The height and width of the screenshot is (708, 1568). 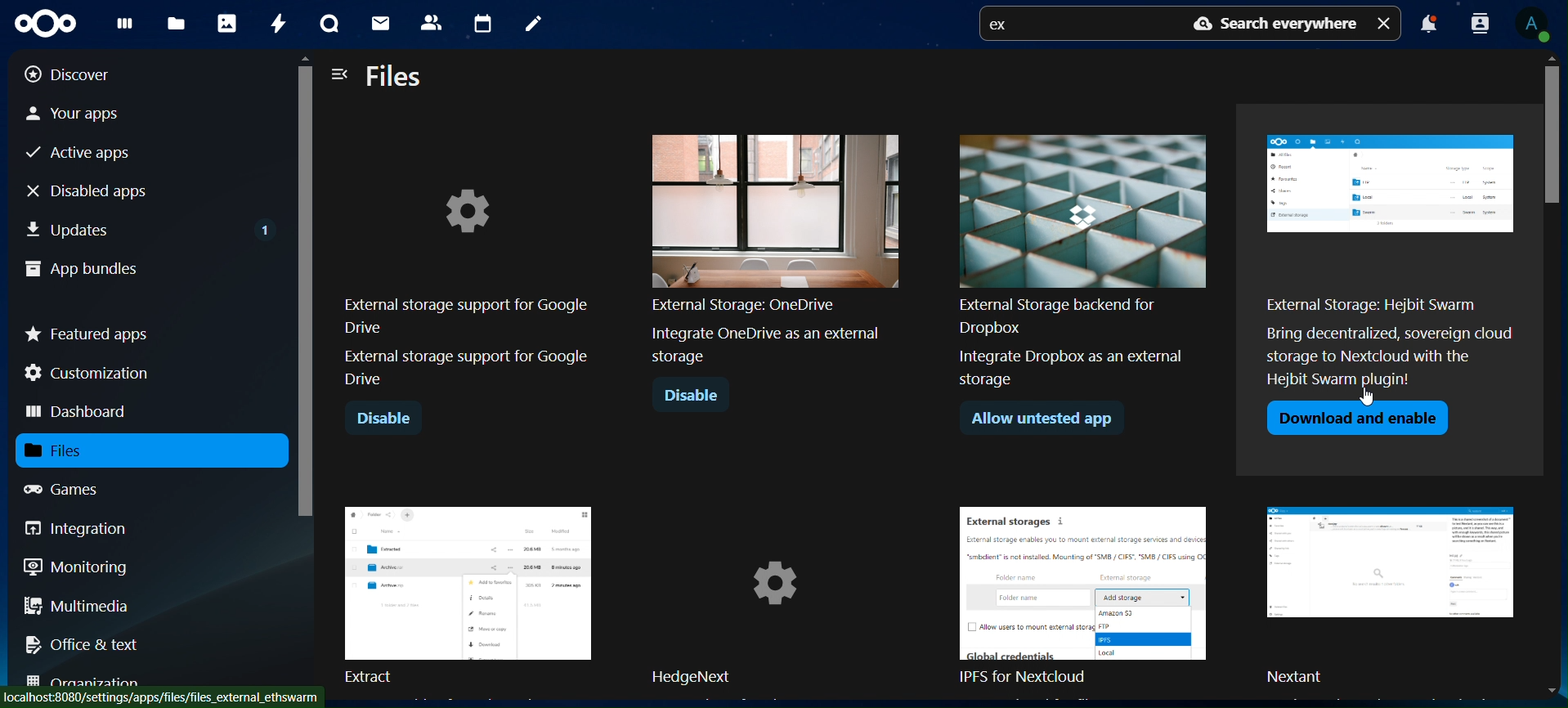 What do you see at coordinates (1374, 401) in the screenshot?
I see `cursor` at bounding box center [1374, 401].